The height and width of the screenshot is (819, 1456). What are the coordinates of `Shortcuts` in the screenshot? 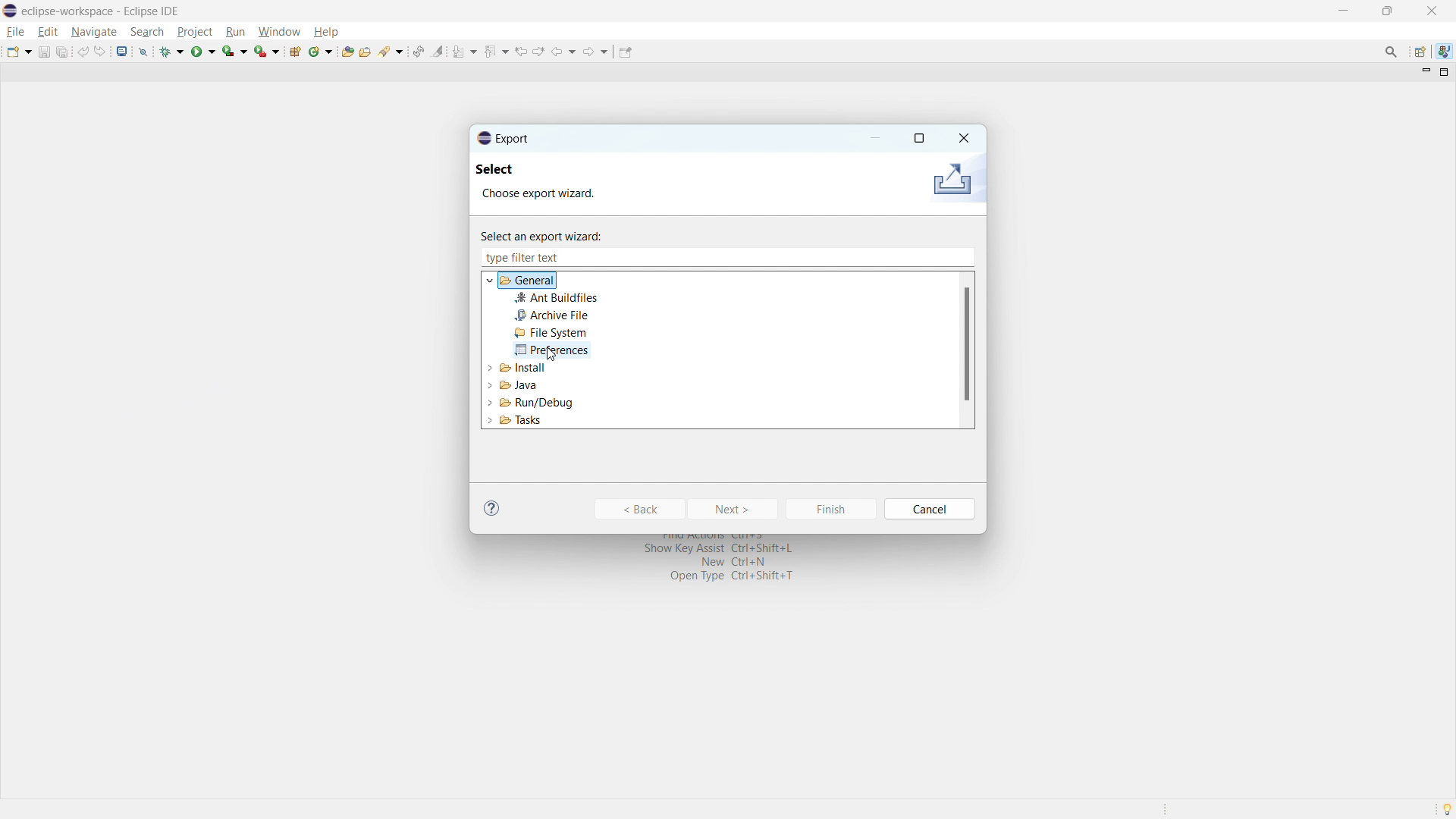 It's located at (728, 564).